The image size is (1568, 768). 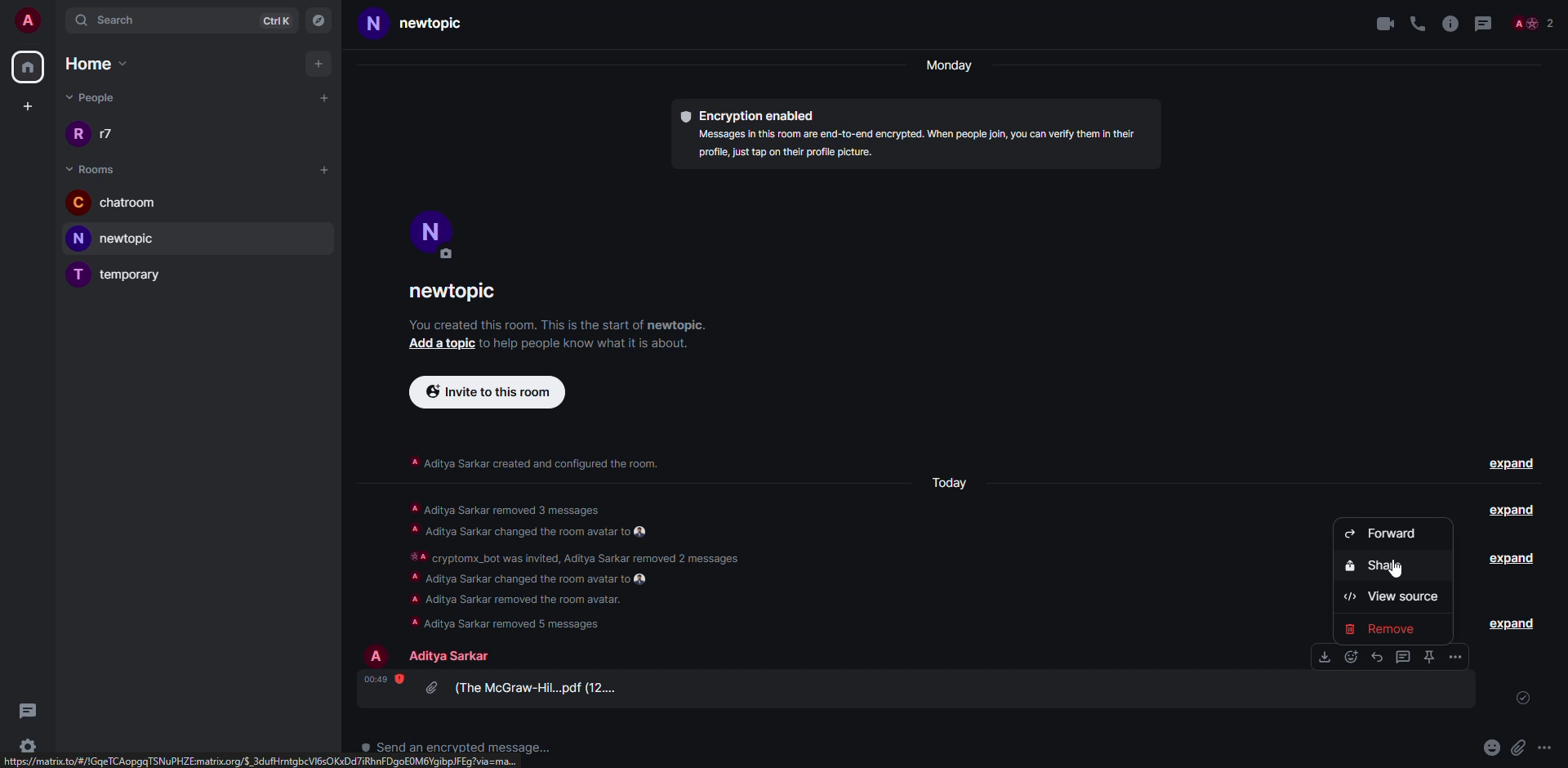 I want to click on new topic, so click(x=424, y=24).